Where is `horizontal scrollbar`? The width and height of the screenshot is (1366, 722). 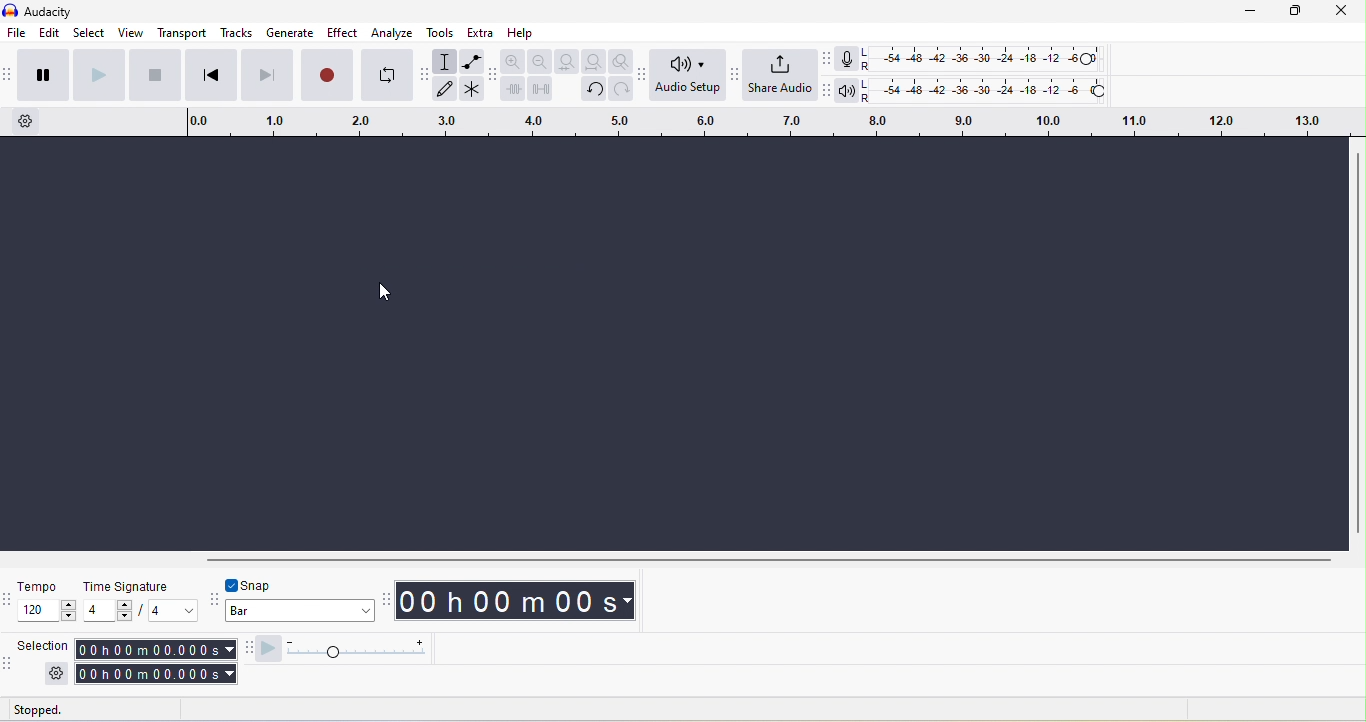
horizontal scrollbar is located at coordinates (769, 561).